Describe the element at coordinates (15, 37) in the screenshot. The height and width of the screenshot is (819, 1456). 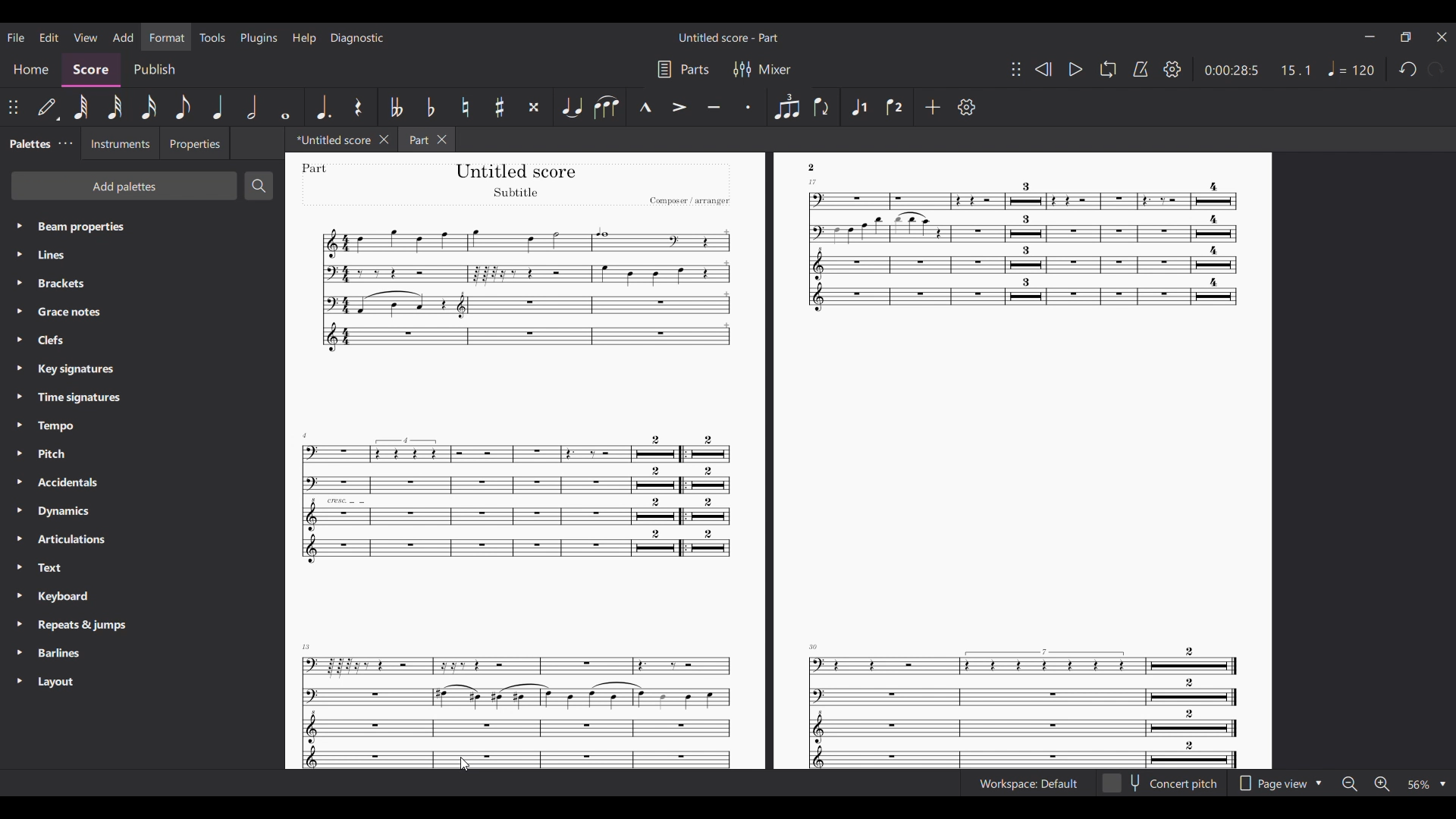
I see `File menu` at that location.